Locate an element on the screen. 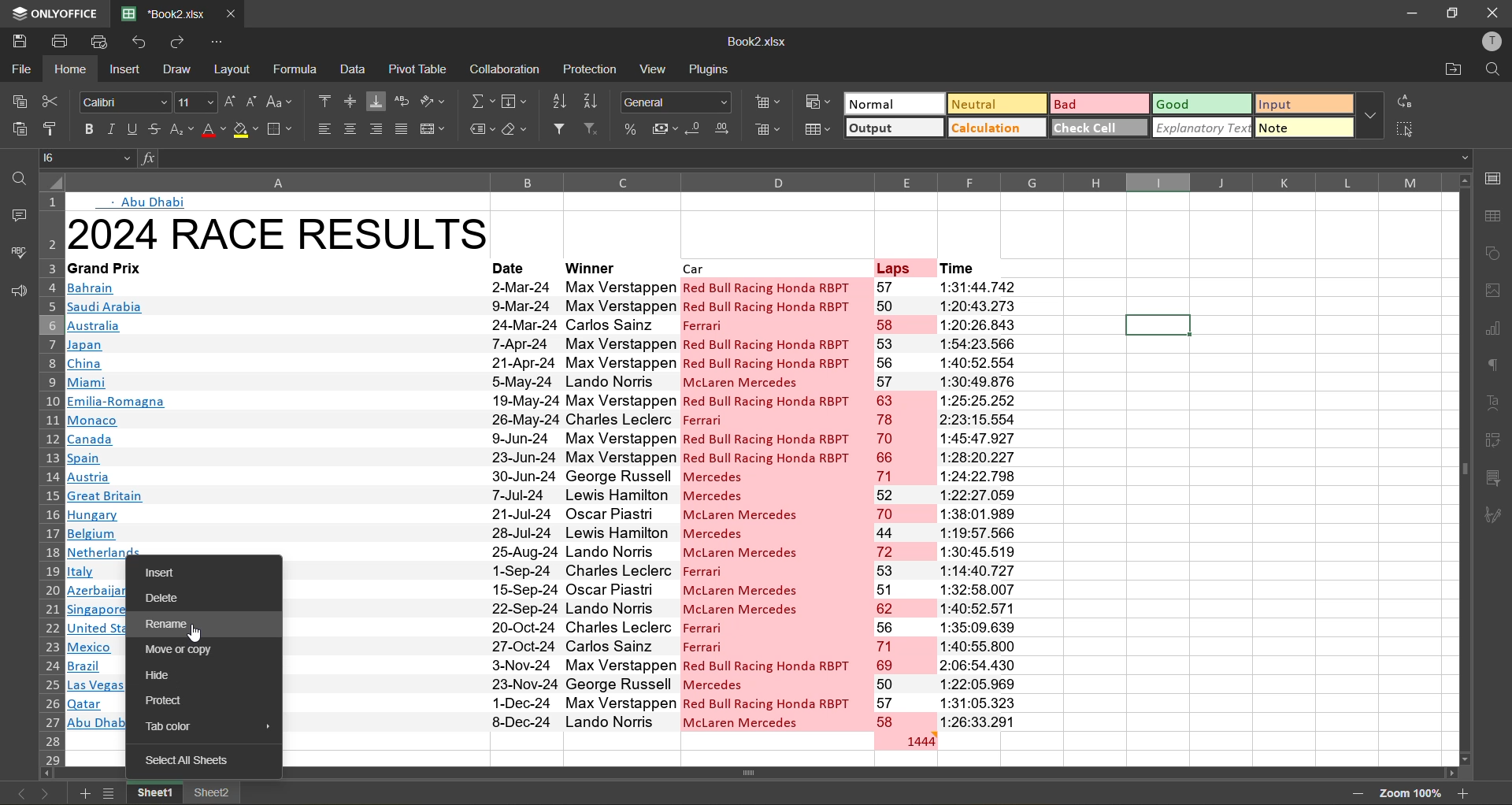  insert is located at coordinates (173, 574).